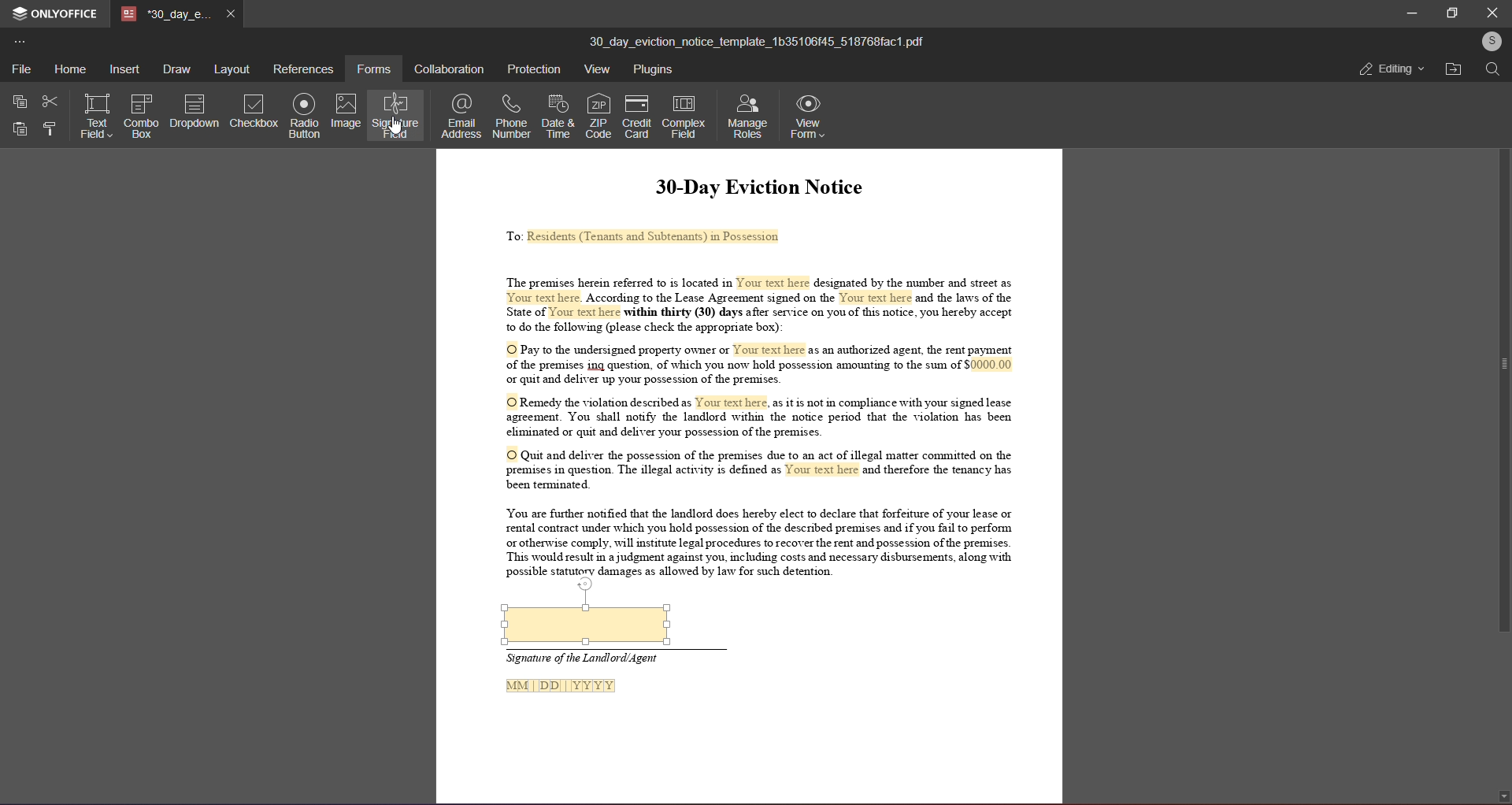 This screenshot has width=1512, height=805. I want to click on insert, so click(124, 69).